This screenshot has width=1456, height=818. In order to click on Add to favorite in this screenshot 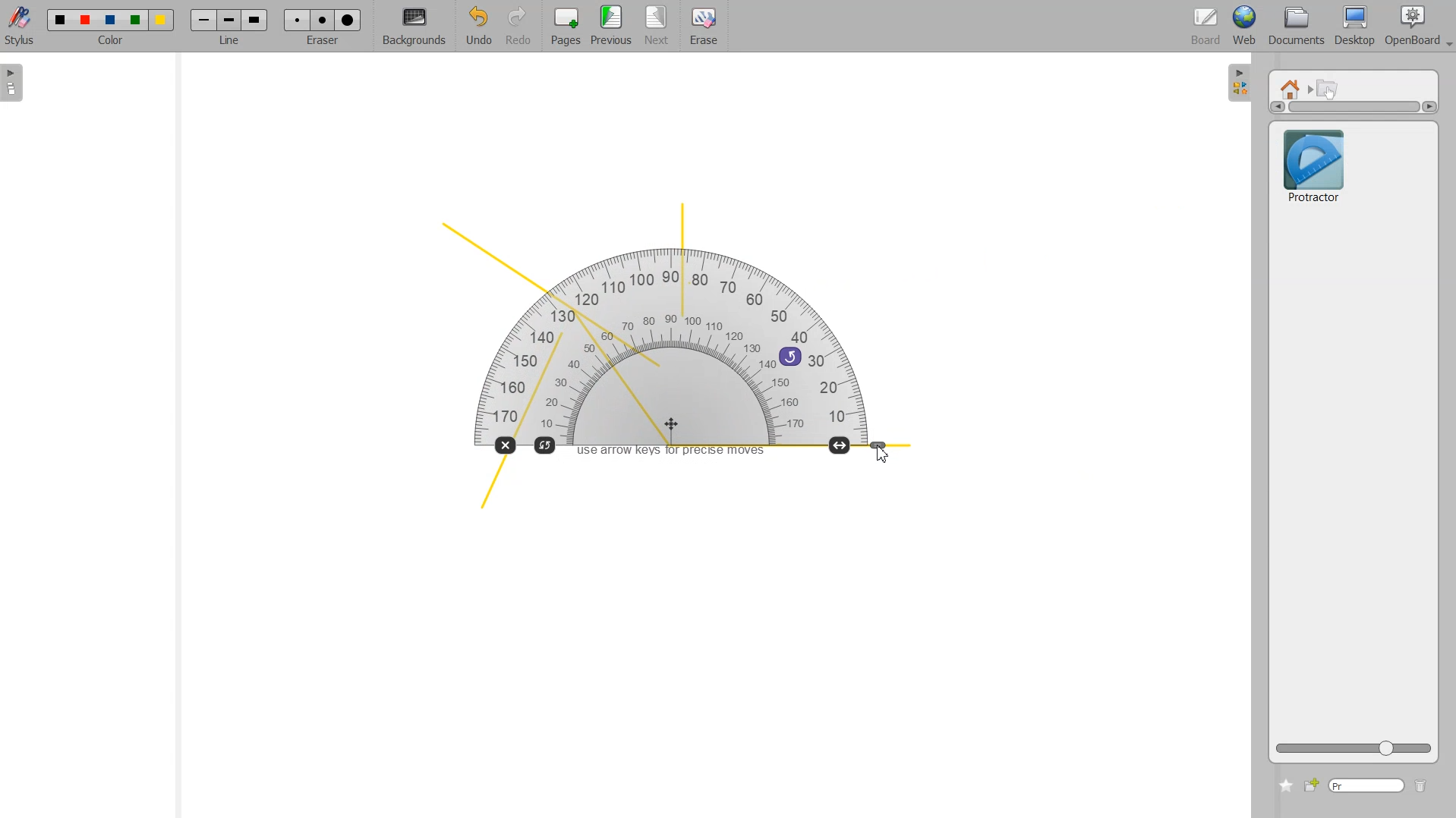, I will do `click(1285, 785)`.